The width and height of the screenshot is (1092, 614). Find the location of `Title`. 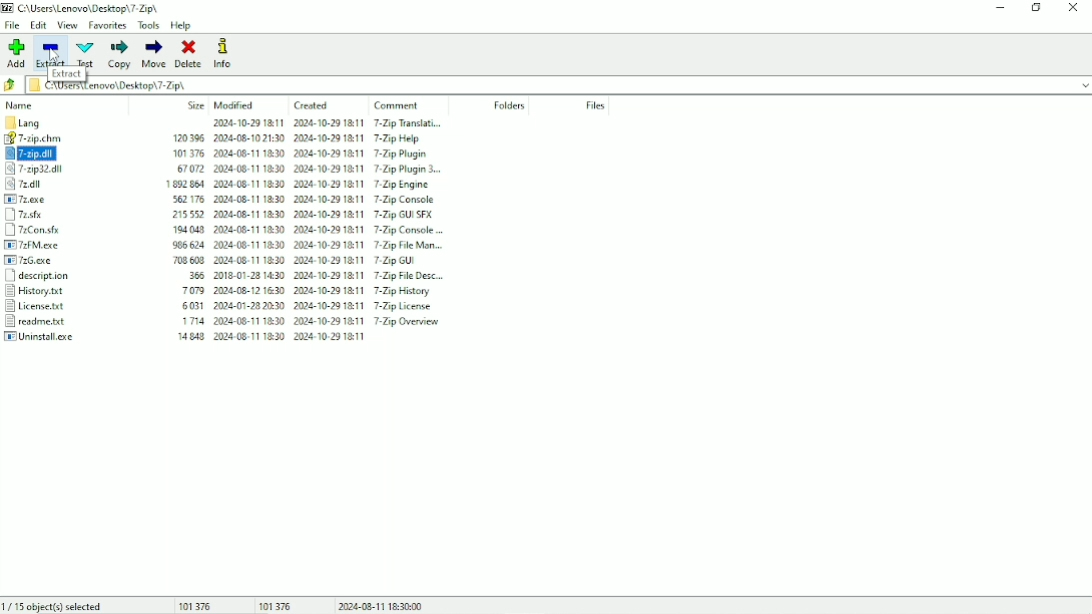

Title is located at coordinates (85, 8).